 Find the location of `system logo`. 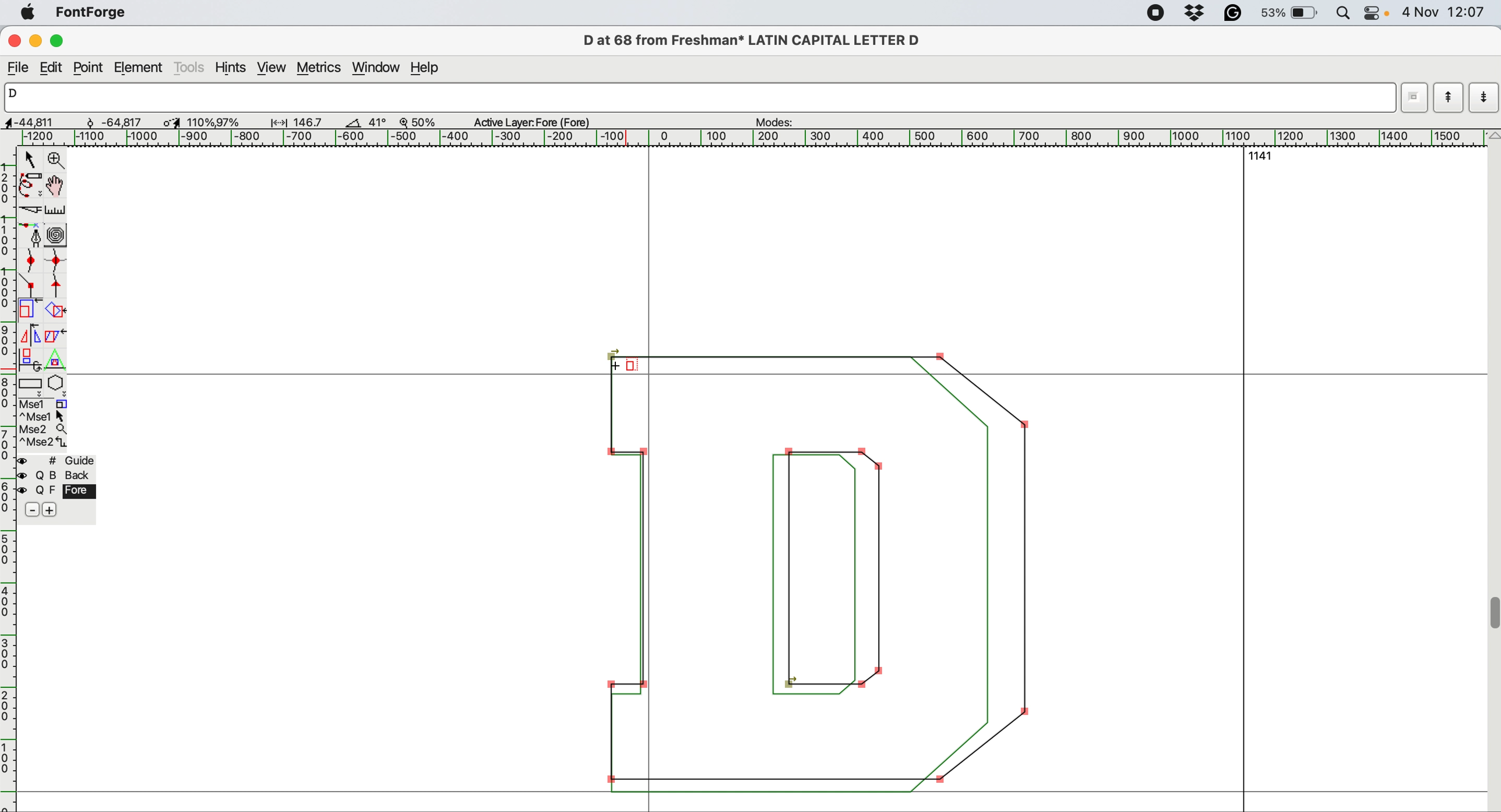

system logo is located at coordinates (29, 14).